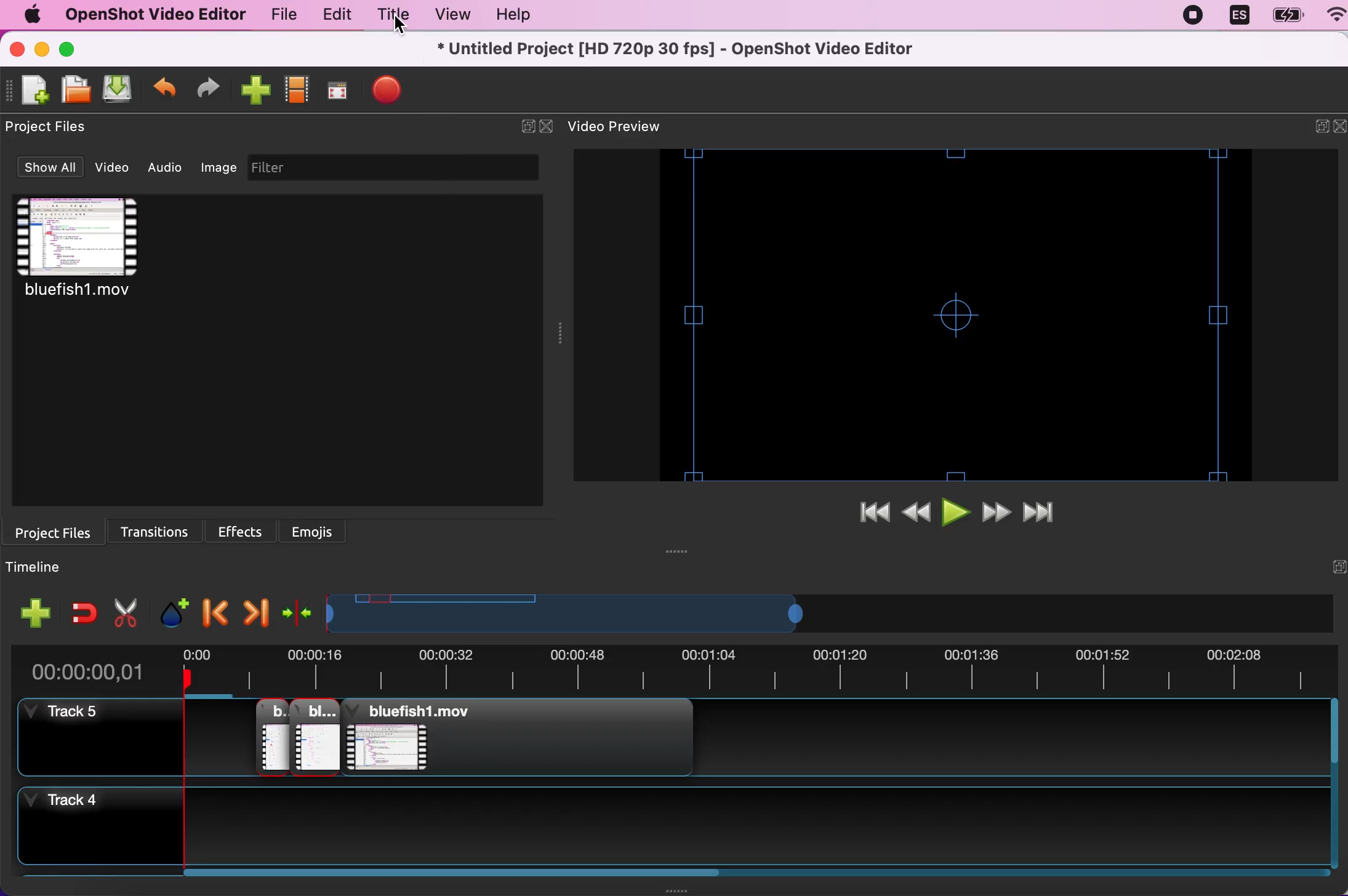 Image resolution: width=1348 pixels, height=896 pixels. What do you see at coordinates (1238, 16) in the screenshot?
I see `language` at bounding box center [1238, 16].